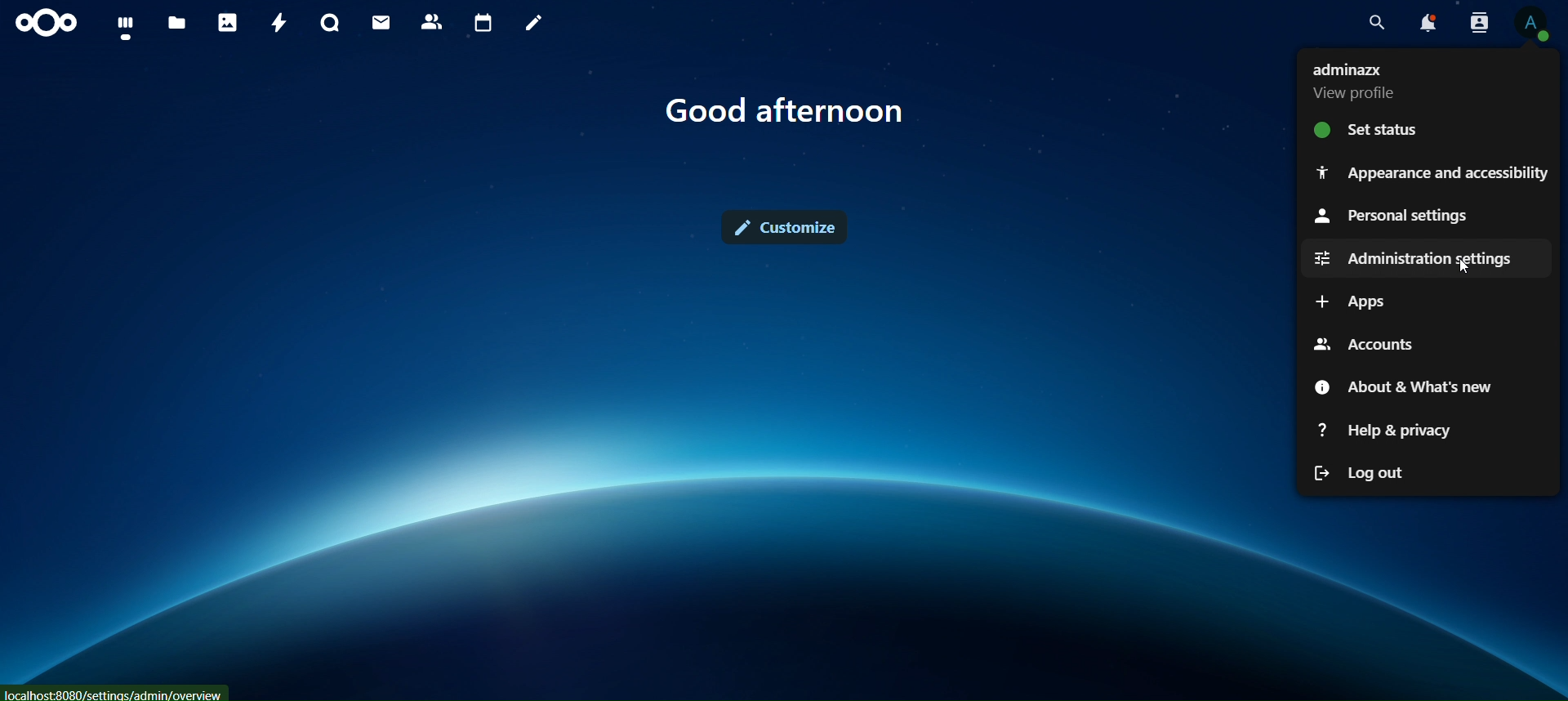 This screenshot has width=1568, height=701. I want to click on accounts, so click(1391, 342).